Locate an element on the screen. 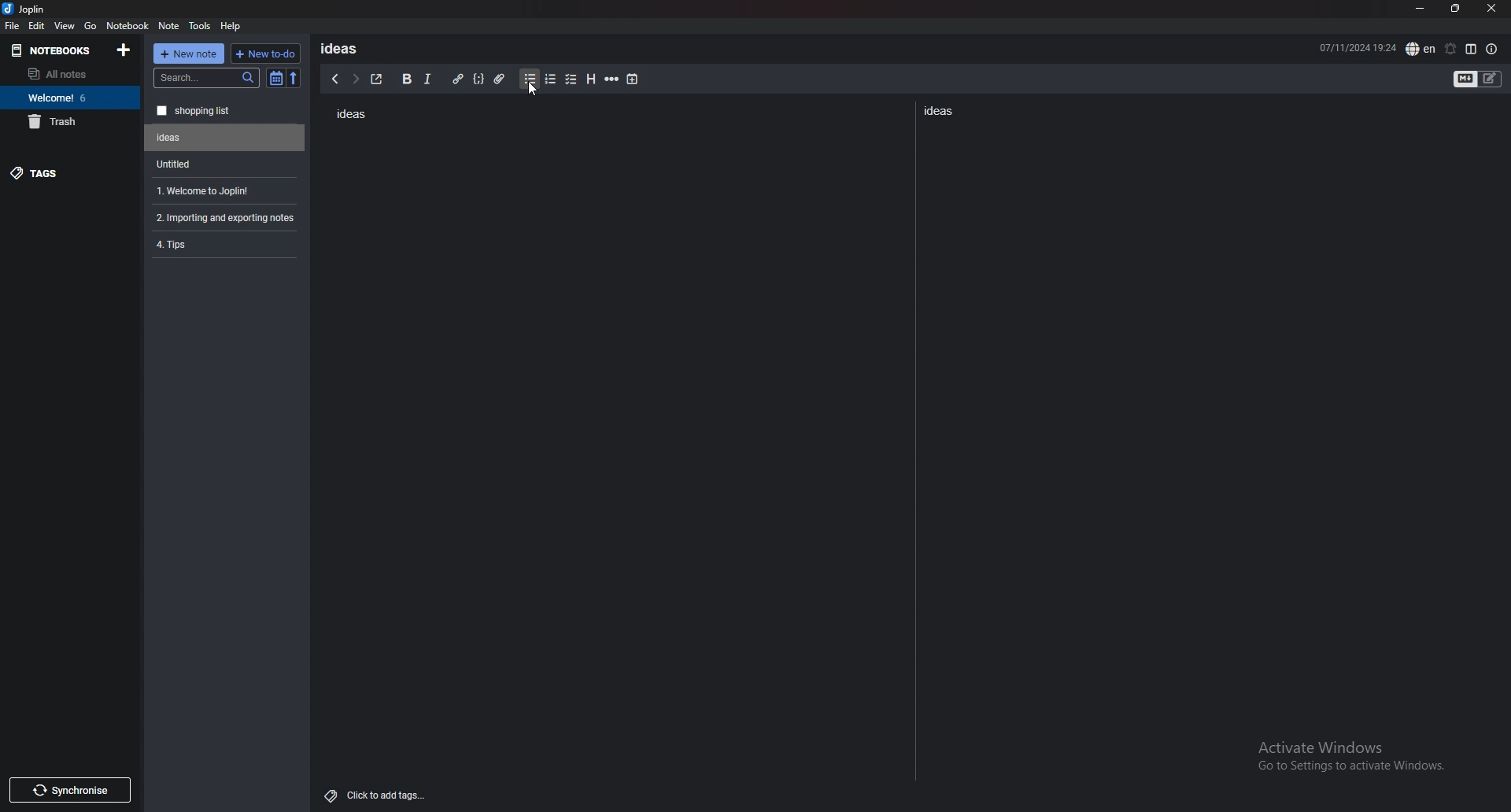  Joplin is located at coordinates (36, 9).